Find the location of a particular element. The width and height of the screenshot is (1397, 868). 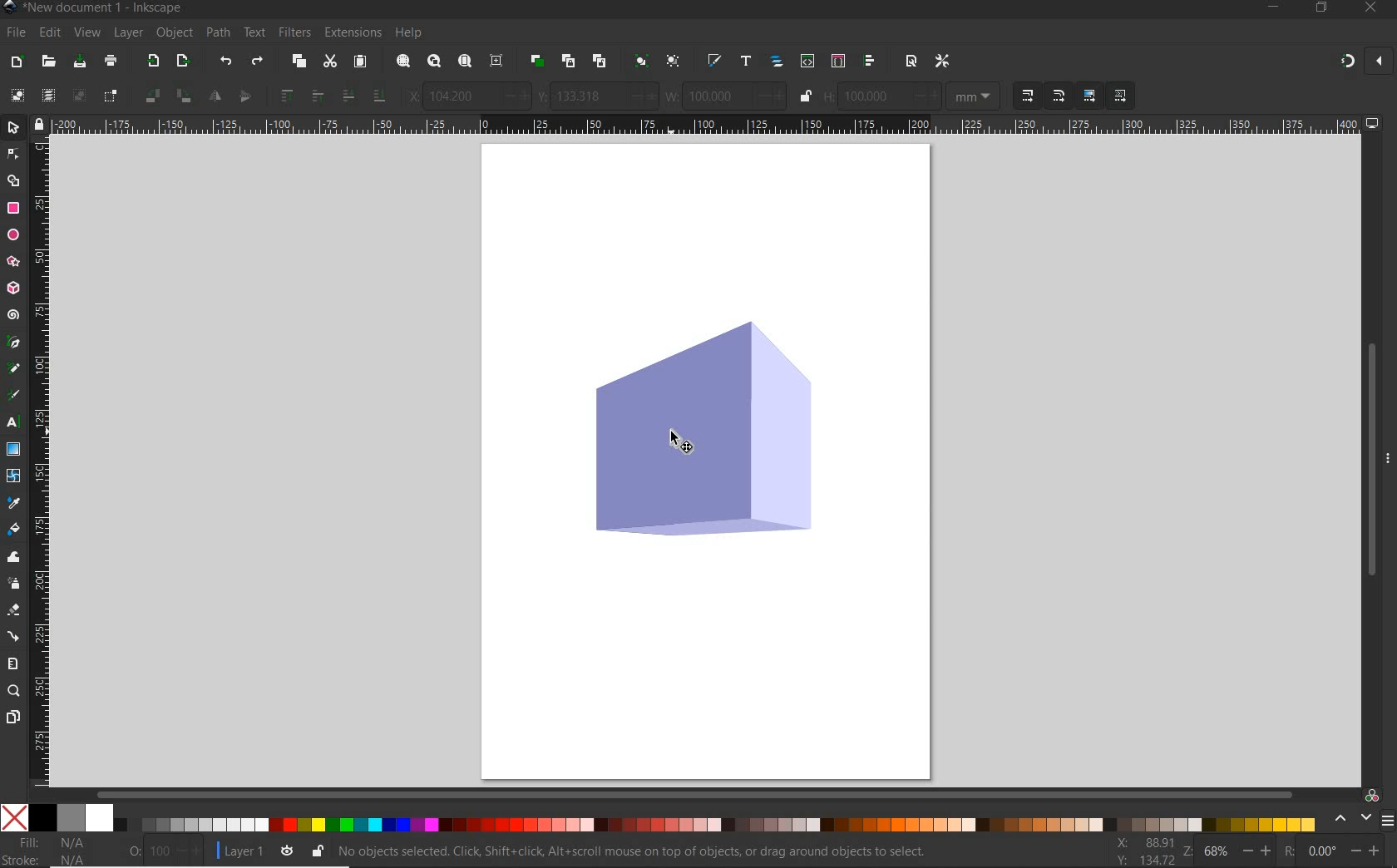

OBJECT ROTATE is located at coordinates (181, 94).